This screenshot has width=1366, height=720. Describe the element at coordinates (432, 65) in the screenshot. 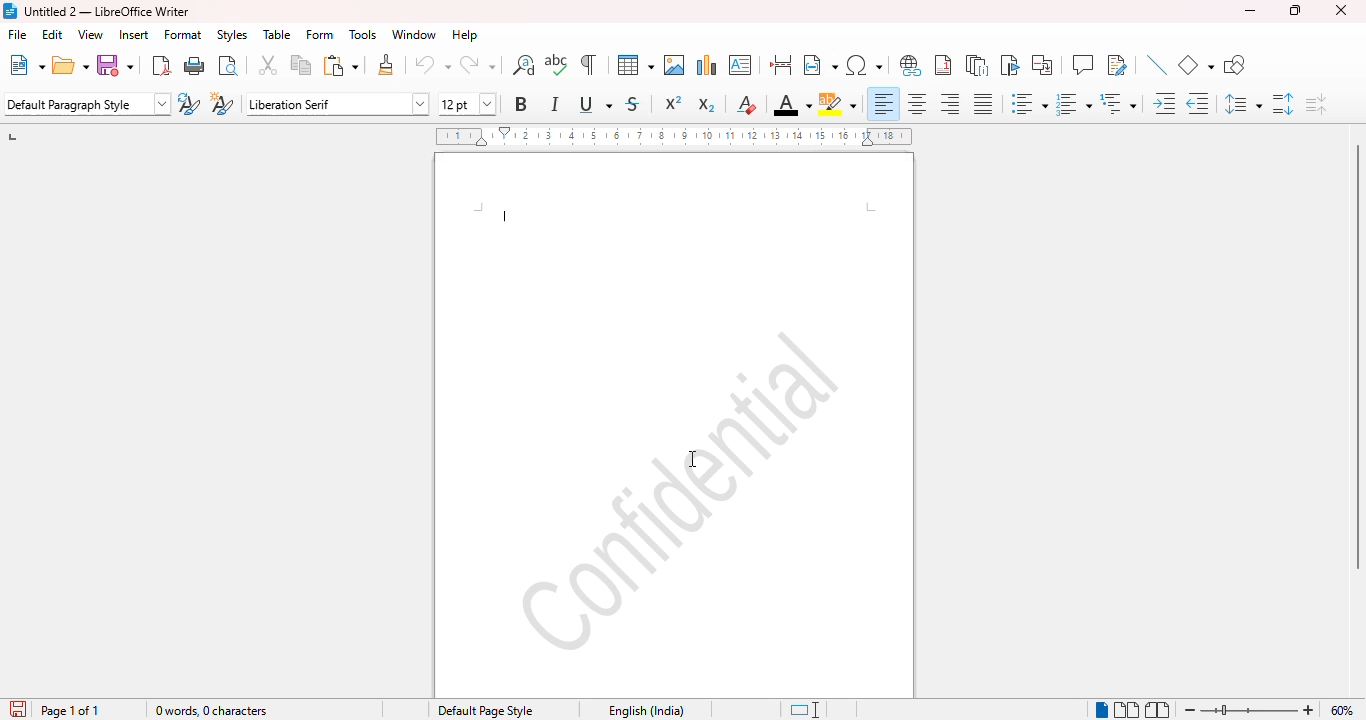

I see `undo` at that location.